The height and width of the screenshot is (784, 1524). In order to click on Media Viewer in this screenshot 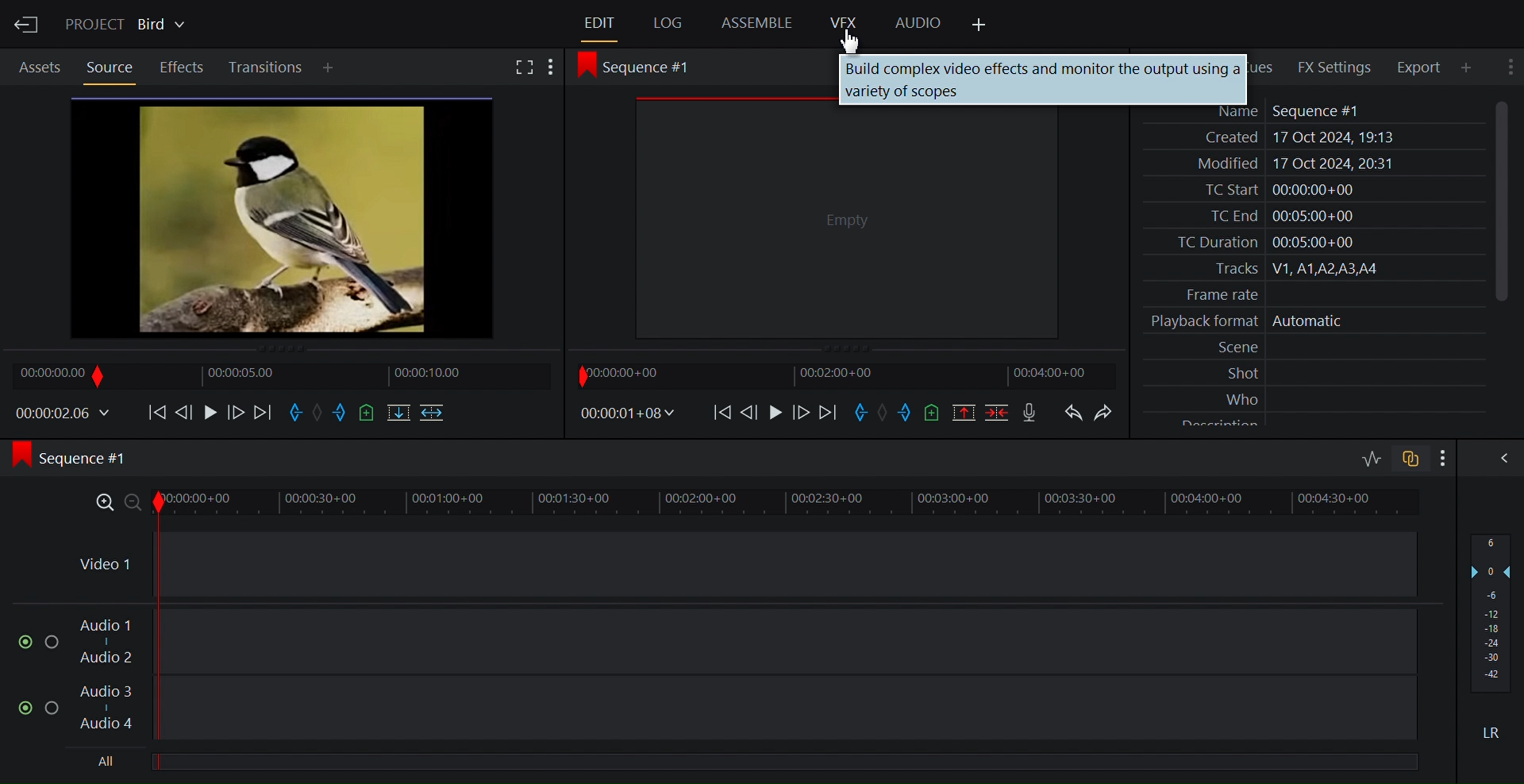, I will do `click(826, 229)`.